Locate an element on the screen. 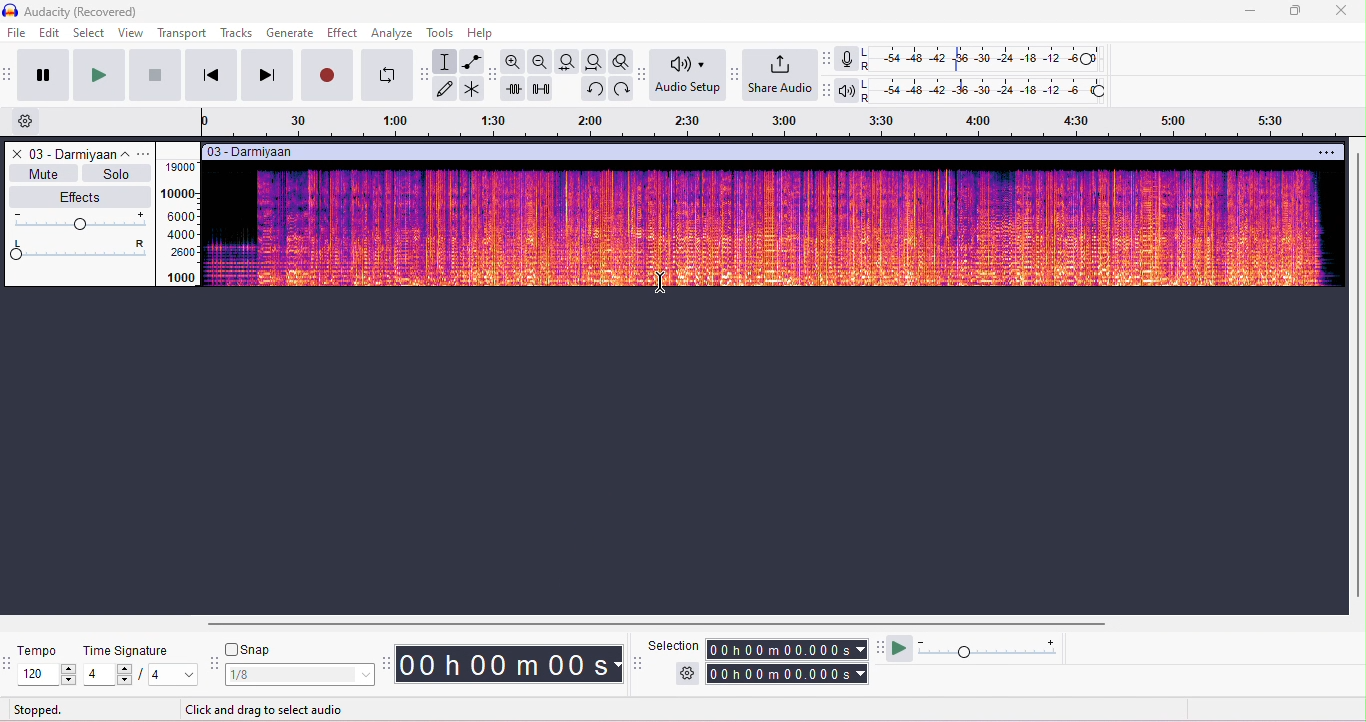 This screenshot has width=1366, height=722. title is located at coordinates (73, 12).